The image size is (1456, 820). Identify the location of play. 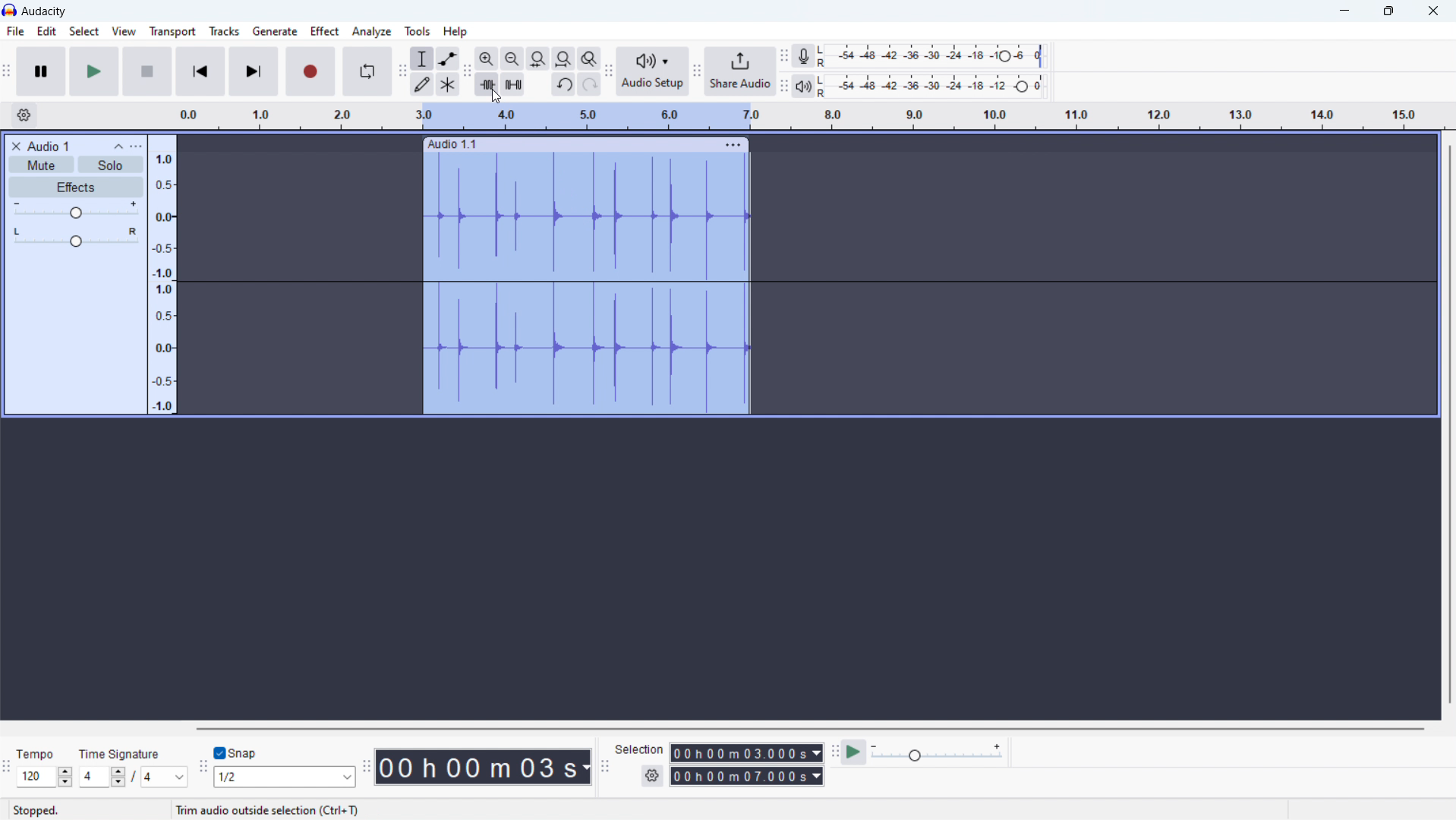
(94, 71).